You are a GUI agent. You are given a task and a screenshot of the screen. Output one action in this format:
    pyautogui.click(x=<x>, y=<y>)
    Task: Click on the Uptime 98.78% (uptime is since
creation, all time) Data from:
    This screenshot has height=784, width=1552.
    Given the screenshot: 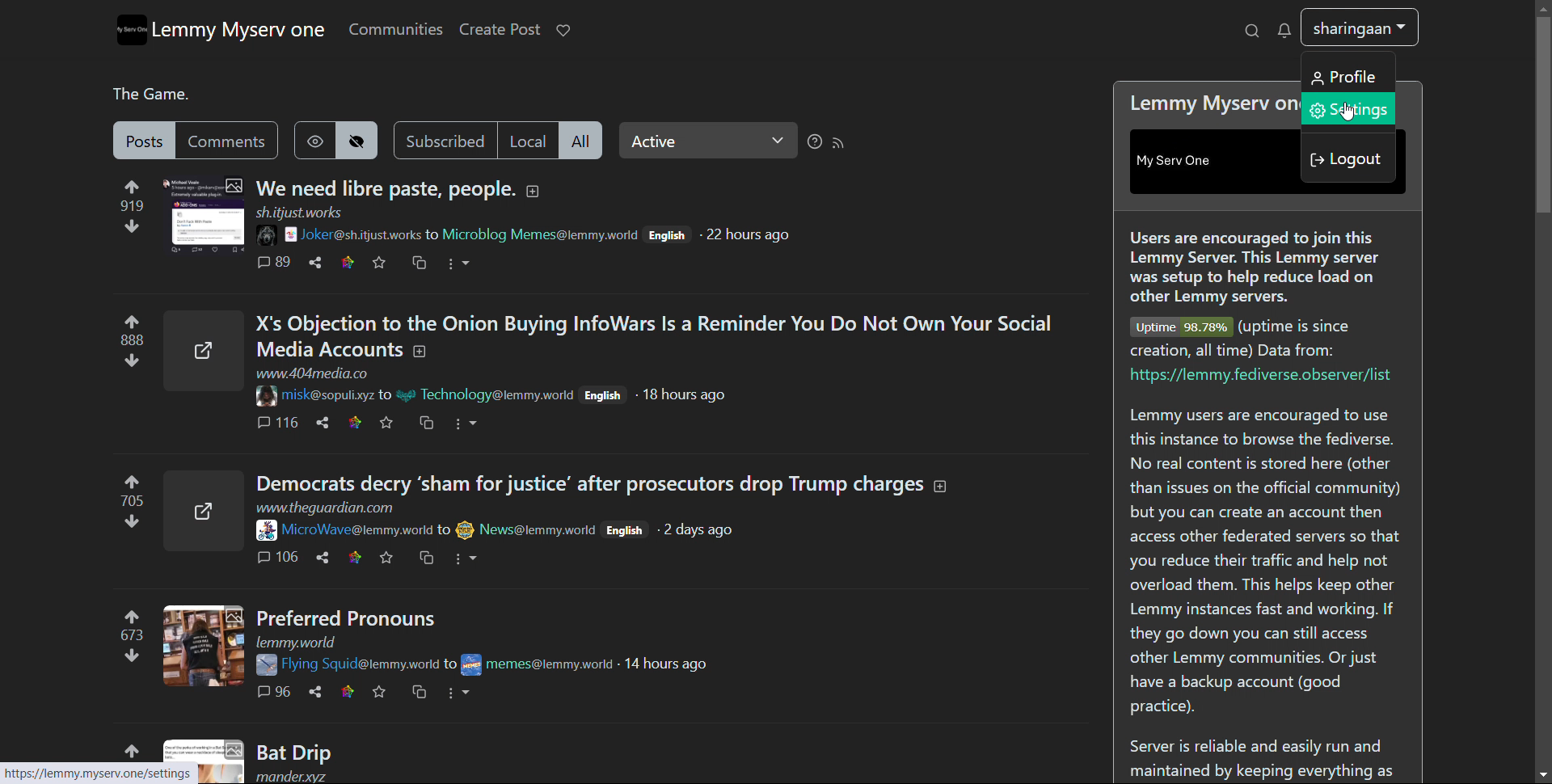 What is the action you would take?
    pyautogui.click(x=1258, y=339)
    